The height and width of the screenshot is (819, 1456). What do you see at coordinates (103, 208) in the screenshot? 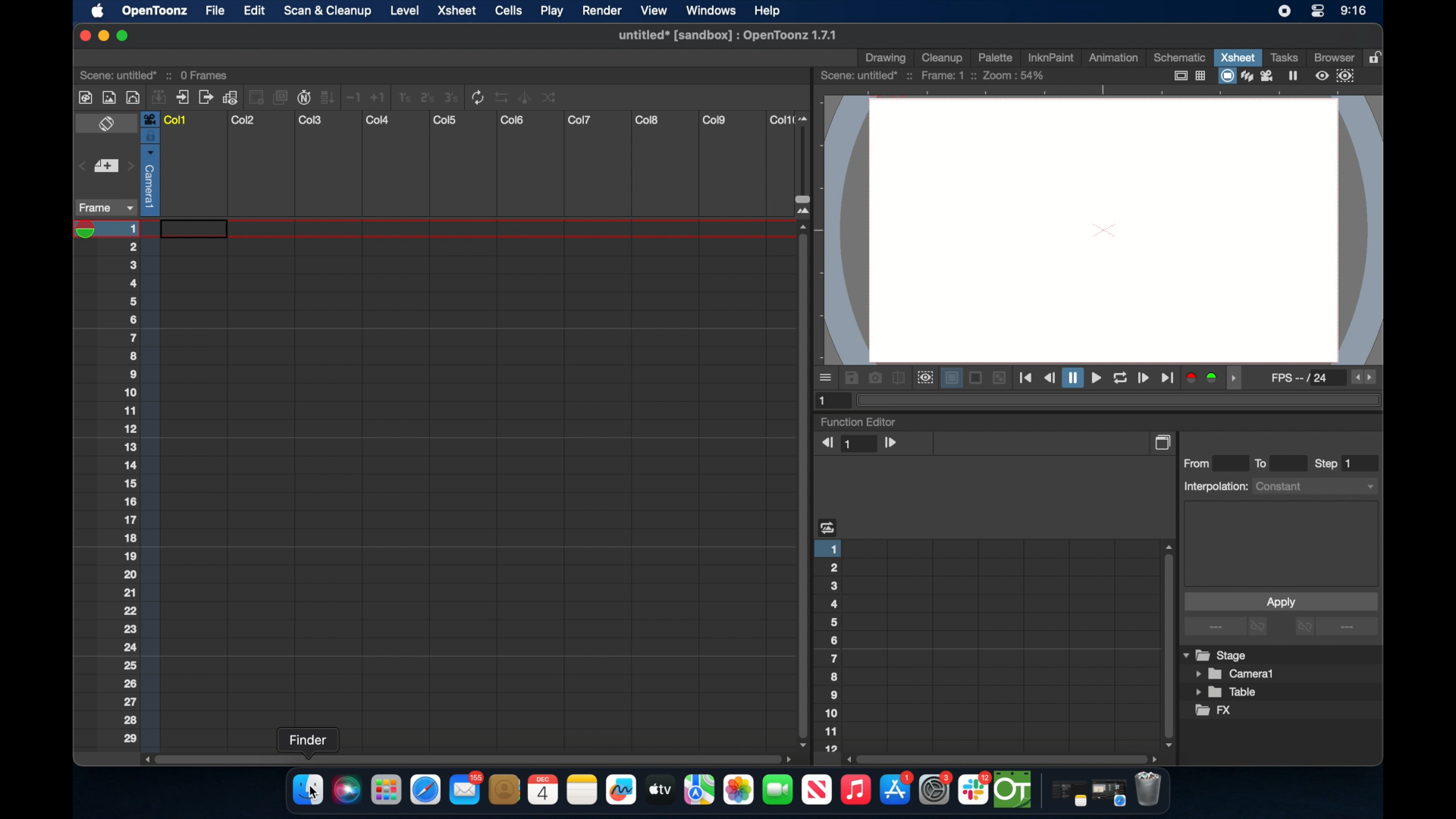
I see `frame` at bounding box center [103, 208].